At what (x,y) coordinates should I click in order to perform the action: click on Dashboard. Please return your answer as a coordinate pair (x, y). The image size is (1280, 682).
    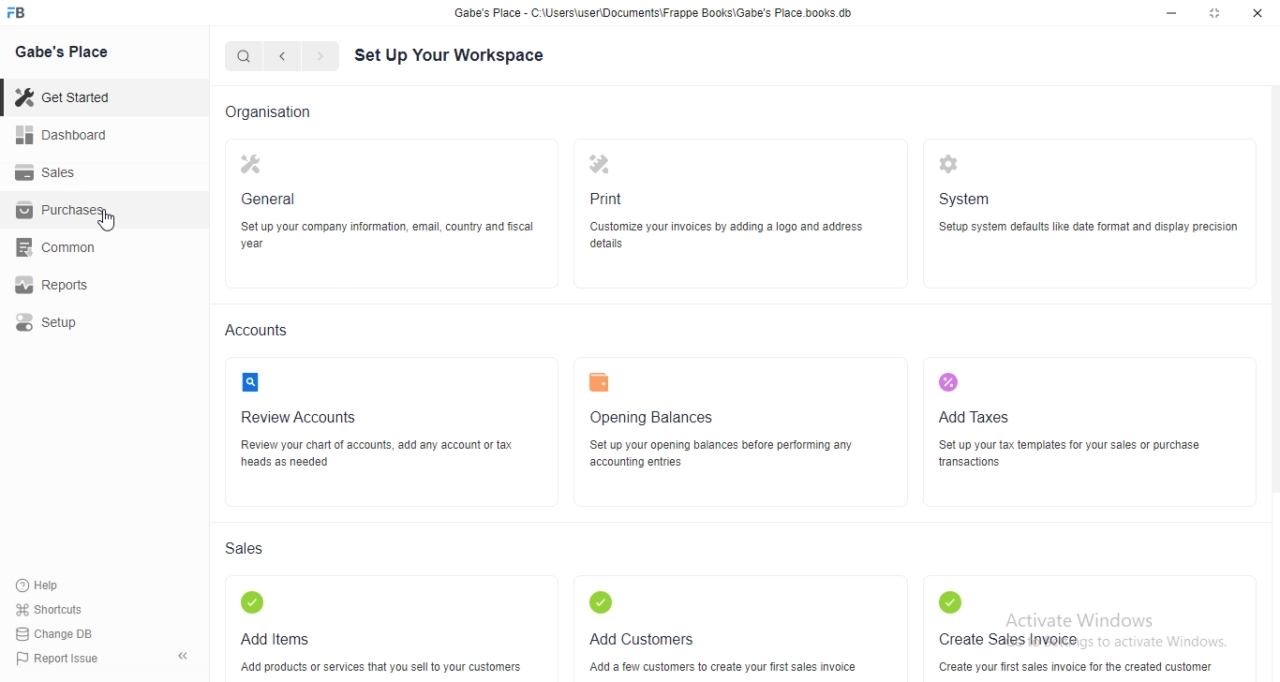
    Looking at the image, I should click on (104, 134).